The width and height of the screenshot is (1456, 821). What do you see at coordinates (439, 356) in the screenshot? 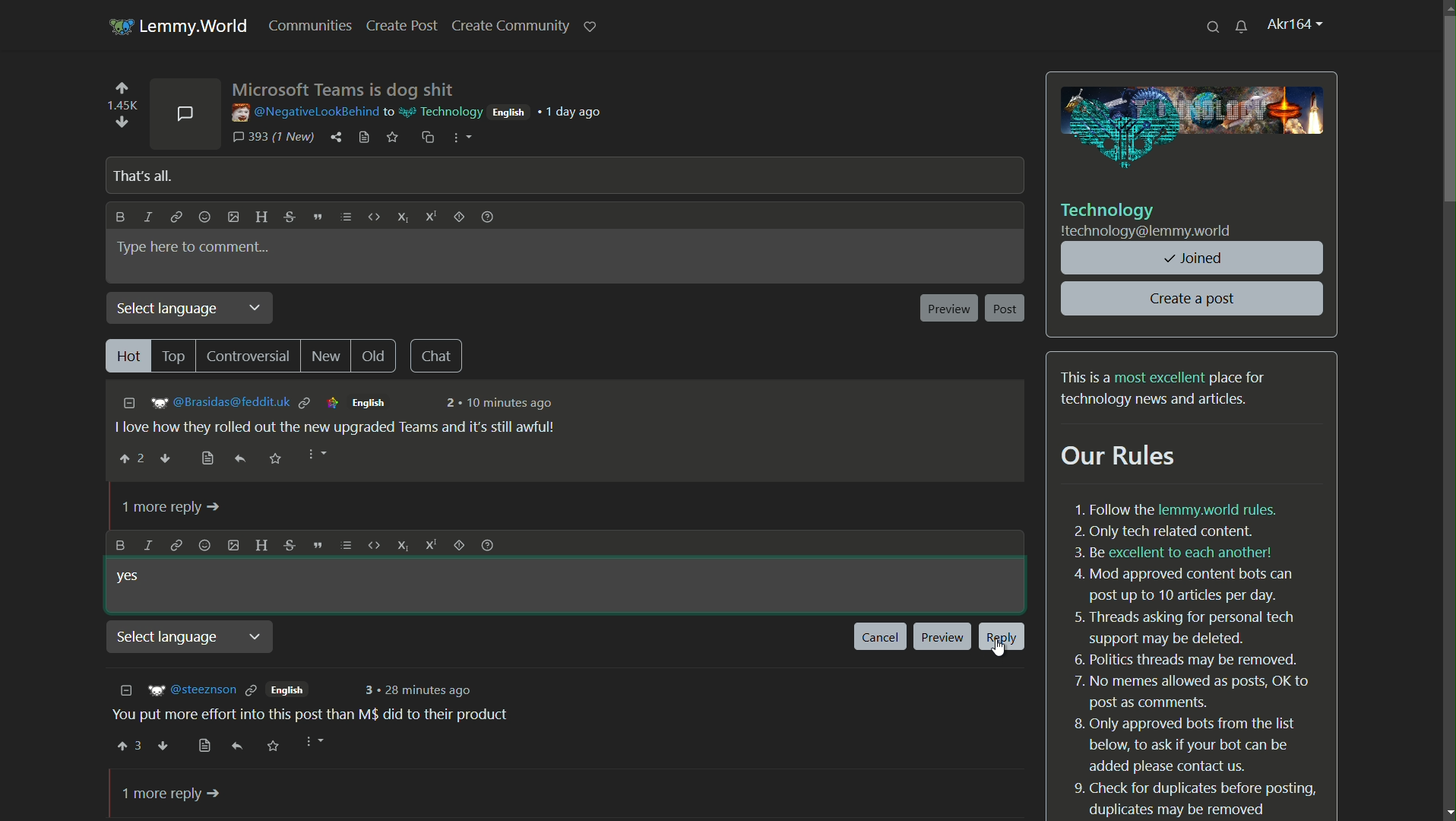
I see `chat` at bounding box center [439, 356].